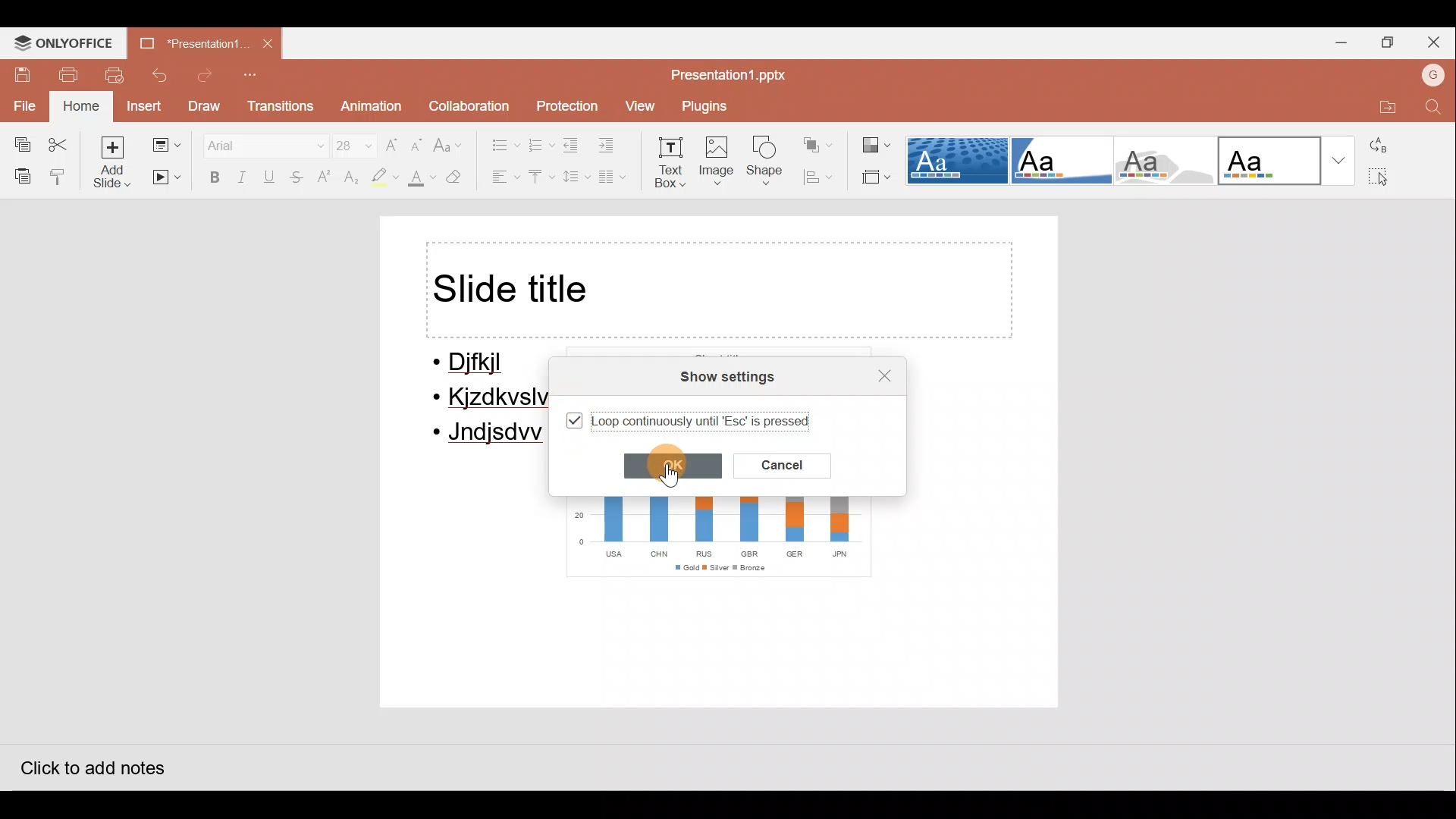  Describe the element at coordinates (416, 143) in the screenshot. I see `Decrease font size` at that location.